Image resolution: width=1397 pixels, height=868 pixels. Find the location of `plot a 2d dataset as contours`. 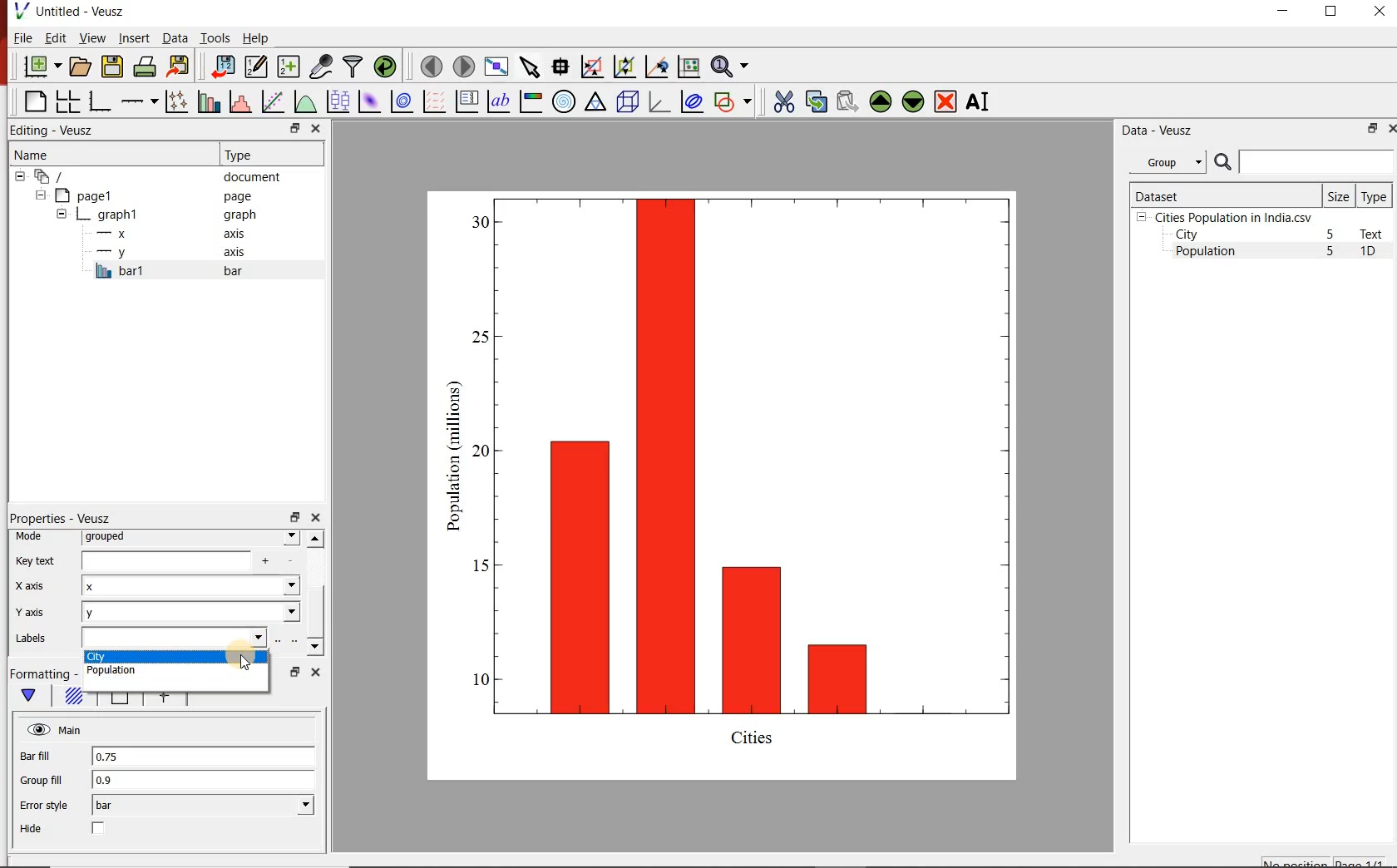

plot a 2d dataset as contours is located at coordinates (400, 101).